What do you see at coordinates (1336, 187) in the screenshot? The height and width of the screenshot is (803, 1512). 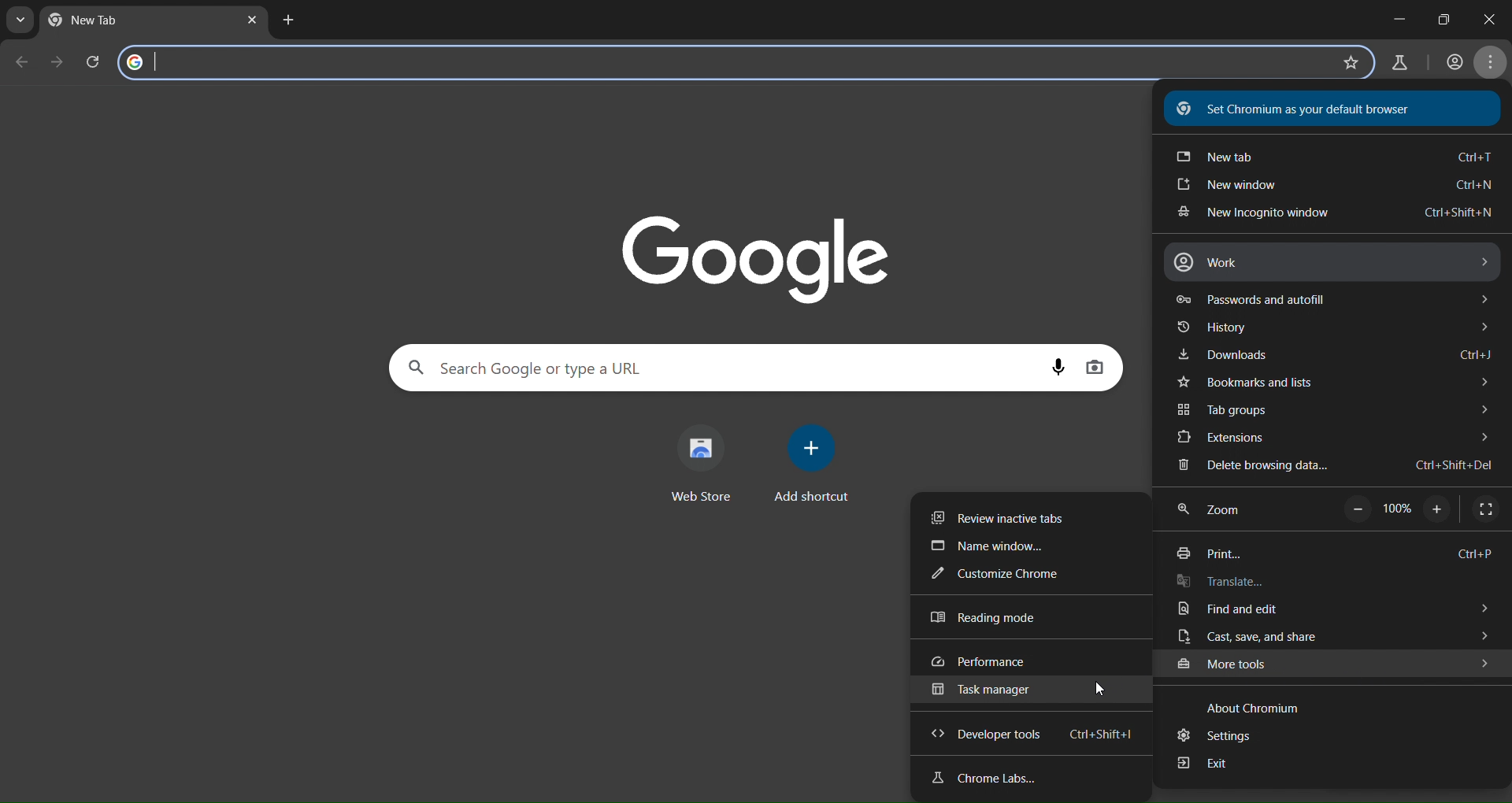 I see `new window` at bounding box center [1336, 187].